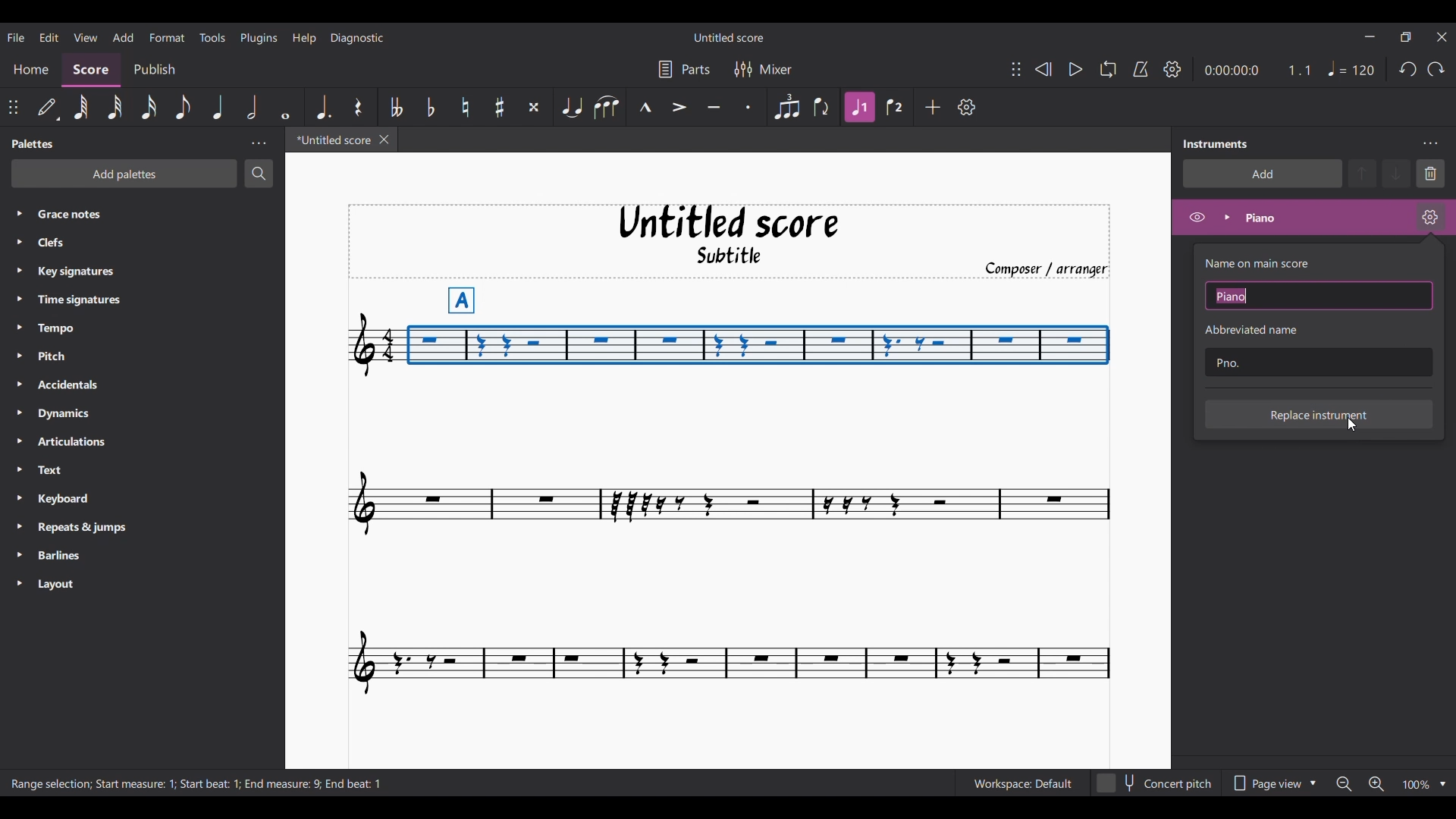  Describe the element at coordinates (1396, 173) in the screenshot. I see `Move instrument down` at that location.